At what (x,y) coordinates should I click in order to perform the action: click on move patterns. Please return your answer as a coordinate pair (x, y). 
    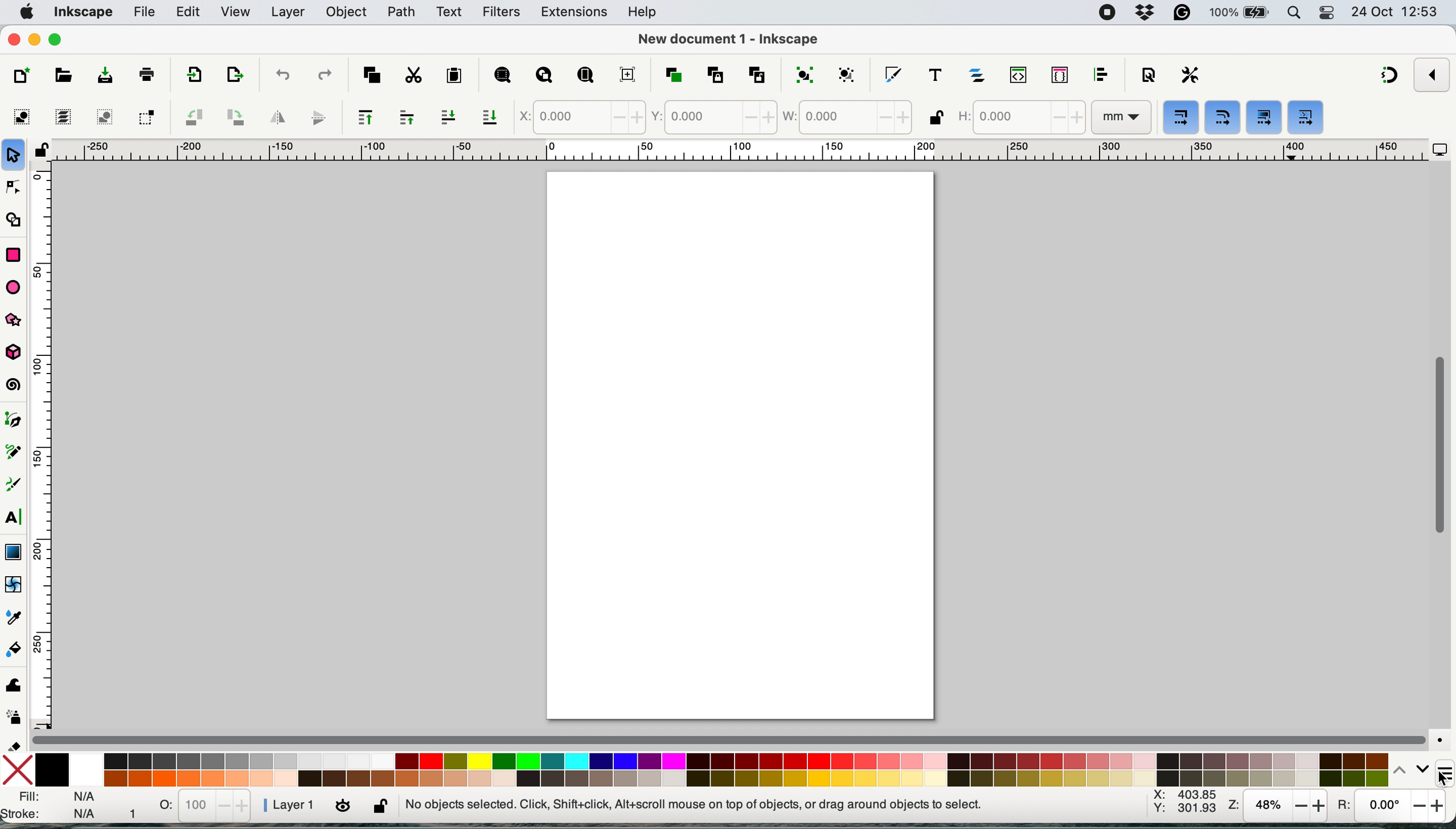
    Looking at the image, I should click on (1264, 116).